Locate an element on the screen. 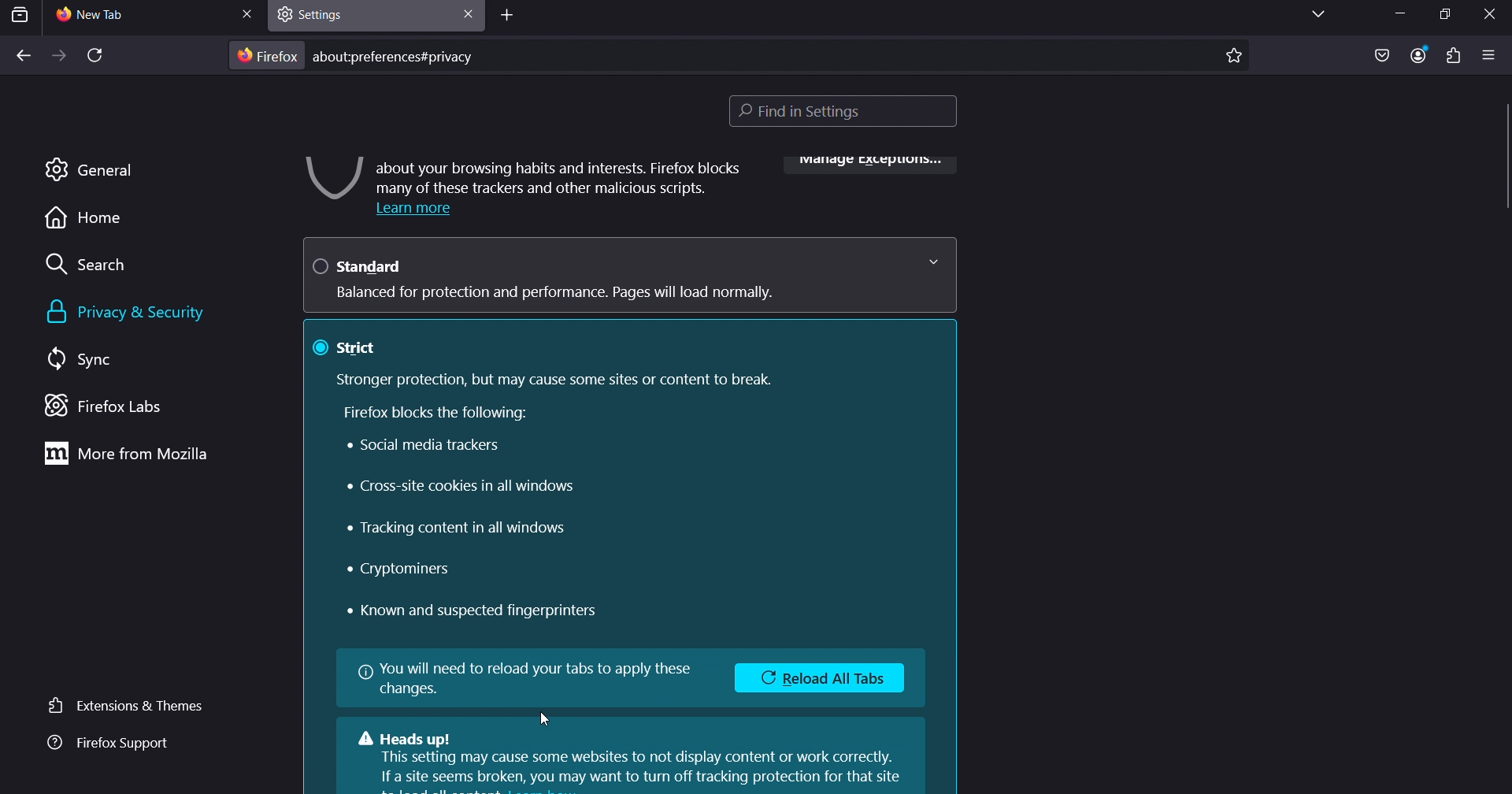  current tab is located at coordinates (110, 16).